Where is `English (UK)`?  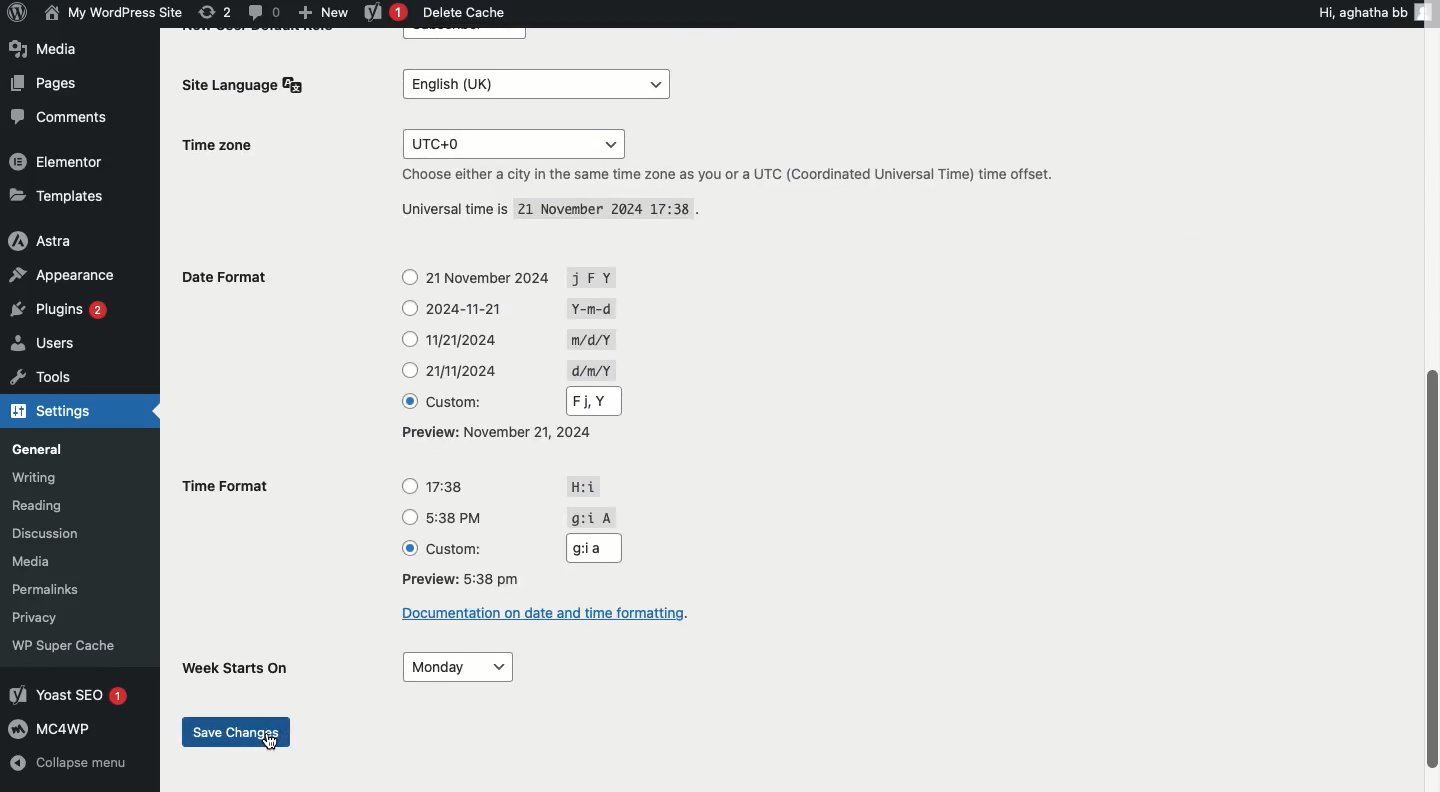 English (UK) is located at coordinates (529, 83).